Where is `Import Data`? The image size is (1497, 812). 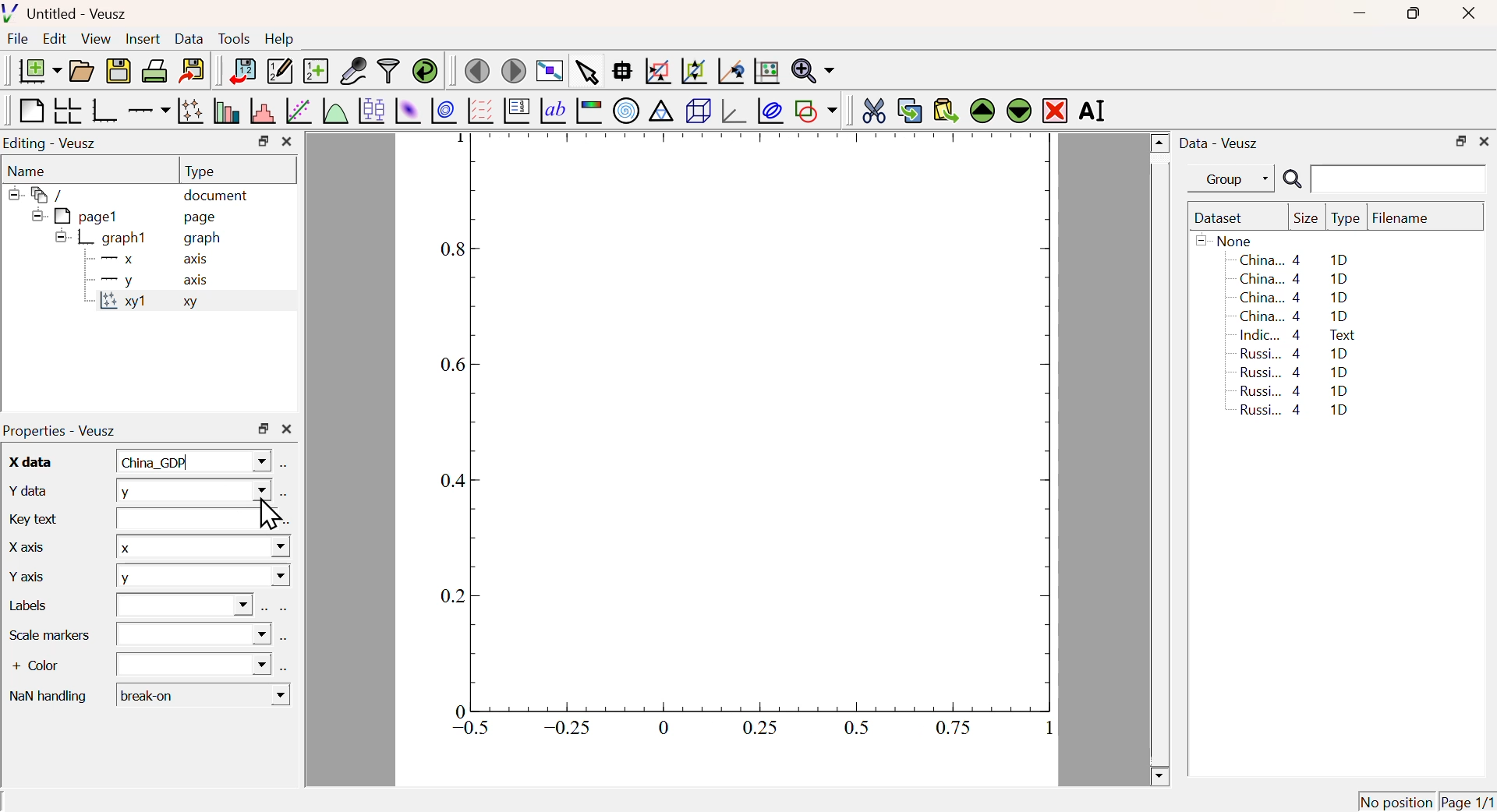 Import Data is located at coordinates (242, 71).